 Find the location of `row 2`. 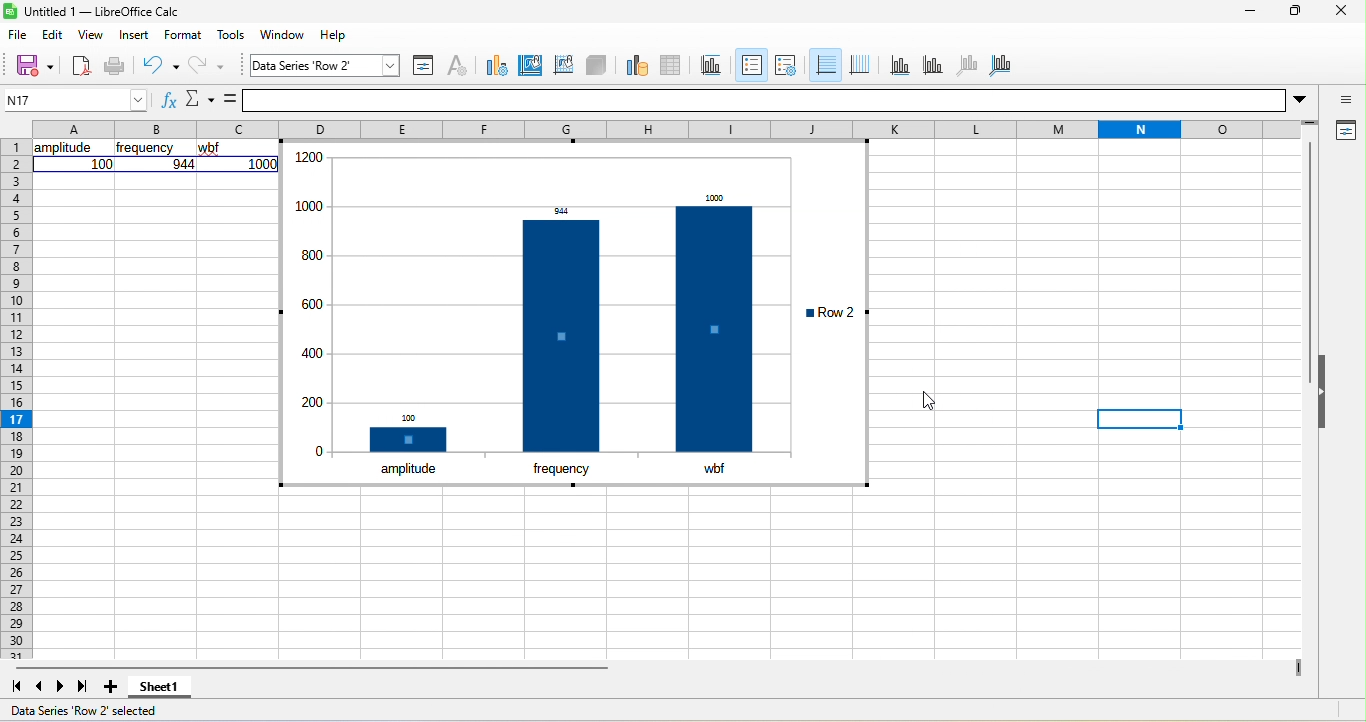

row 2 is located at coordinates (829, 312).